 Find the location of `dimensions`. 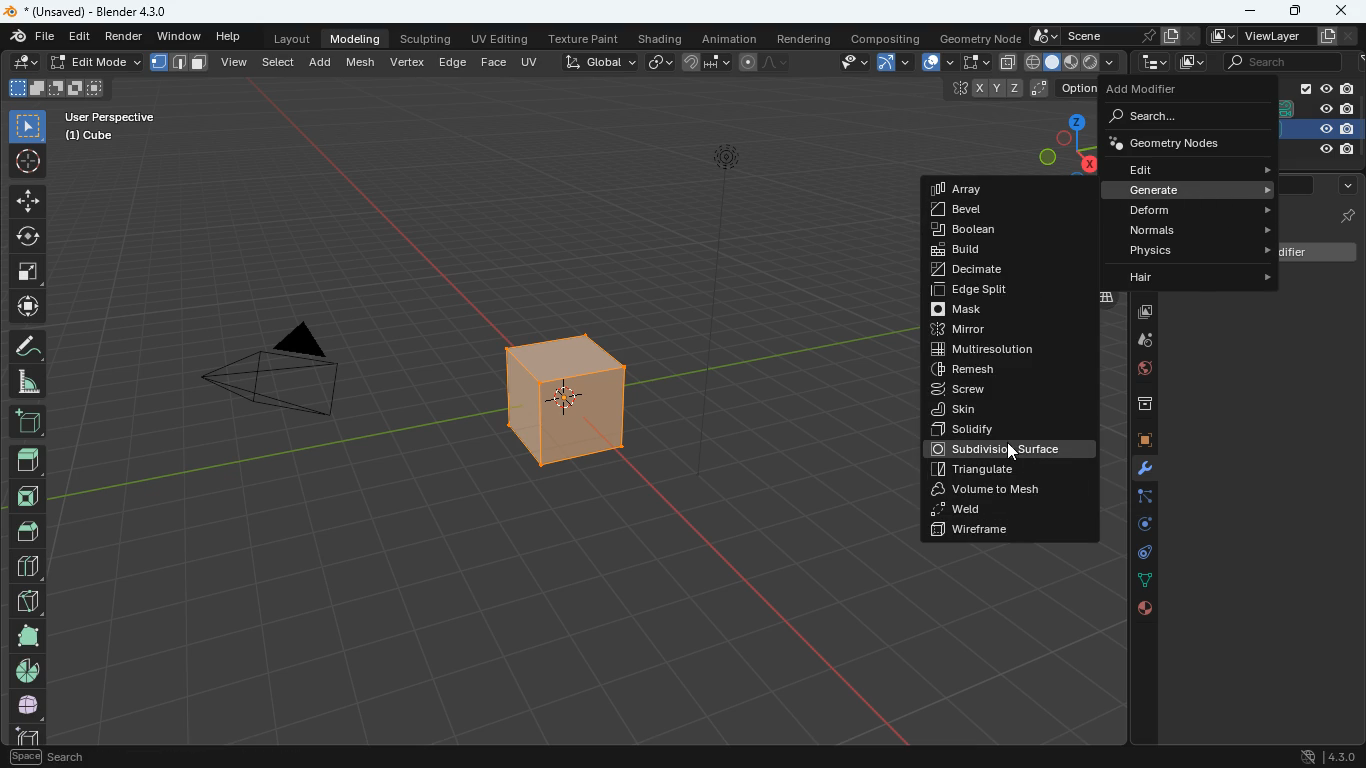

dimensions is located at coordinates (1056, 144).